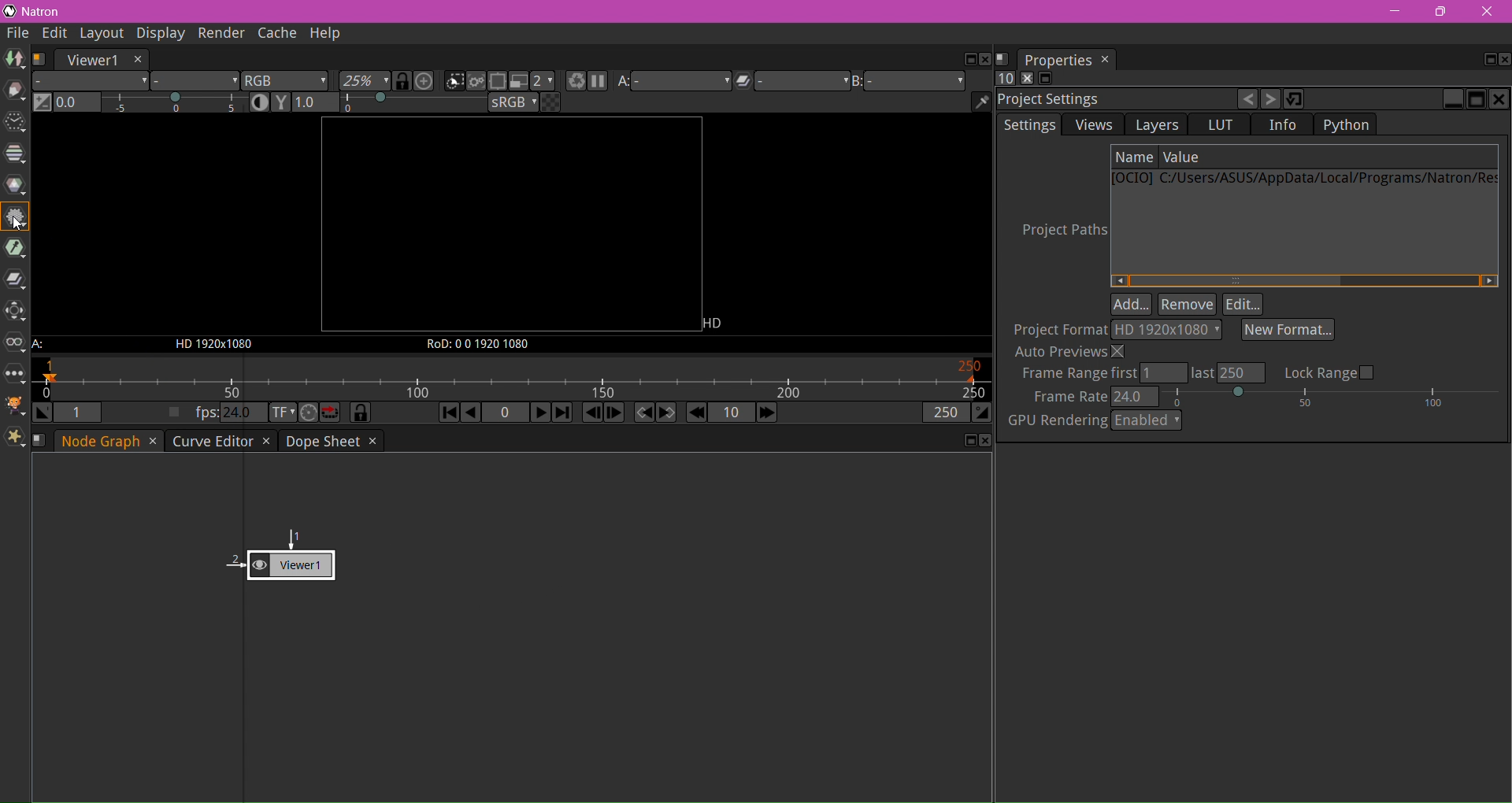 This screenshot has height=803, width=1512. Describe the element at coordinates (472, 415) in the screenshot. I see `Play backward` at that location.